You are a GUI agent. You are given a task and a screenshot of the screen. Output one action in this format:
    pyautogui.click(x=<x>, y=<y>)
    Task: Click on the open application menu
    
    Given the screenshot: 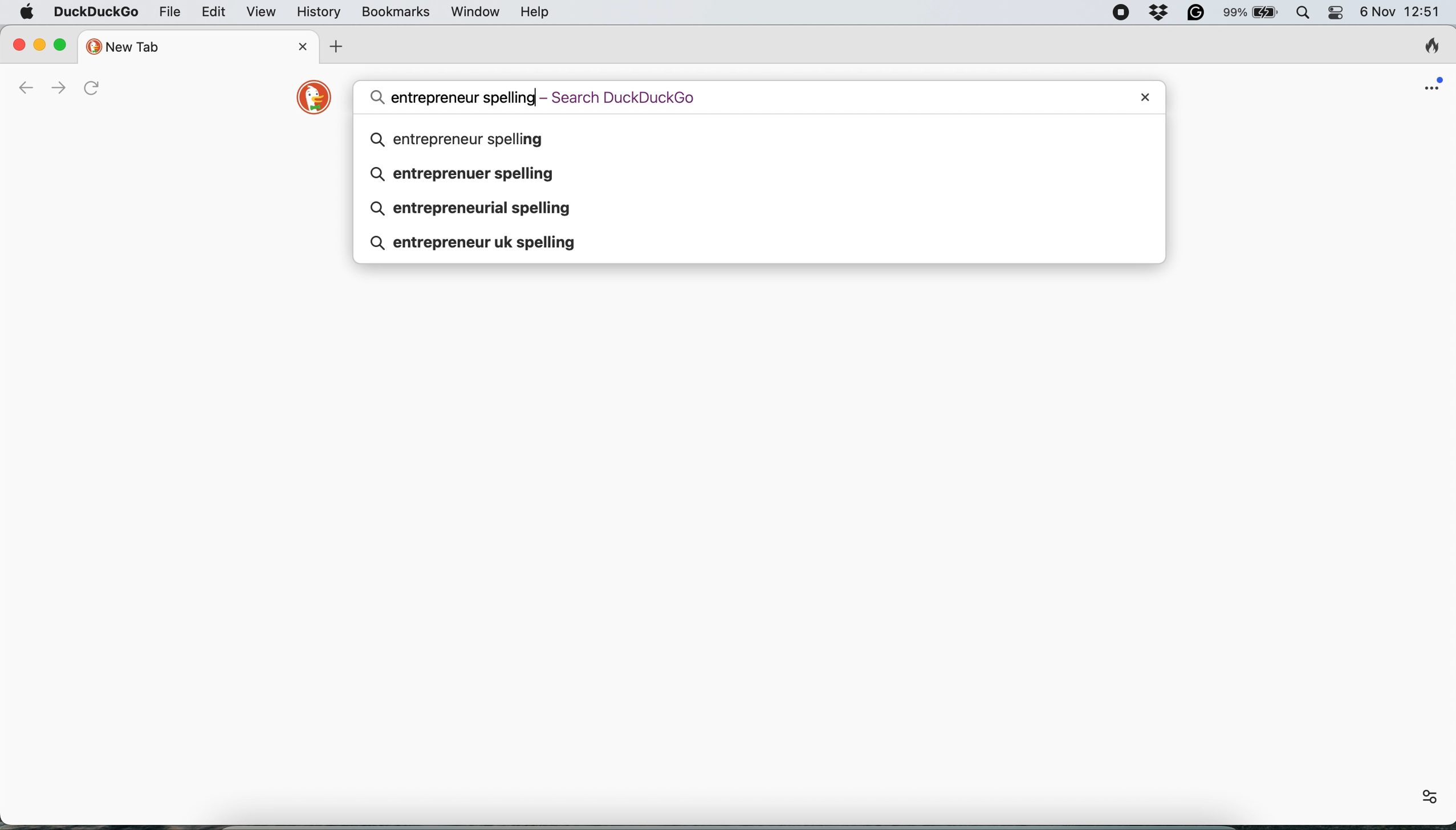 What is the action you would take?
    pyautogui.click(x=1431, y=84)
    